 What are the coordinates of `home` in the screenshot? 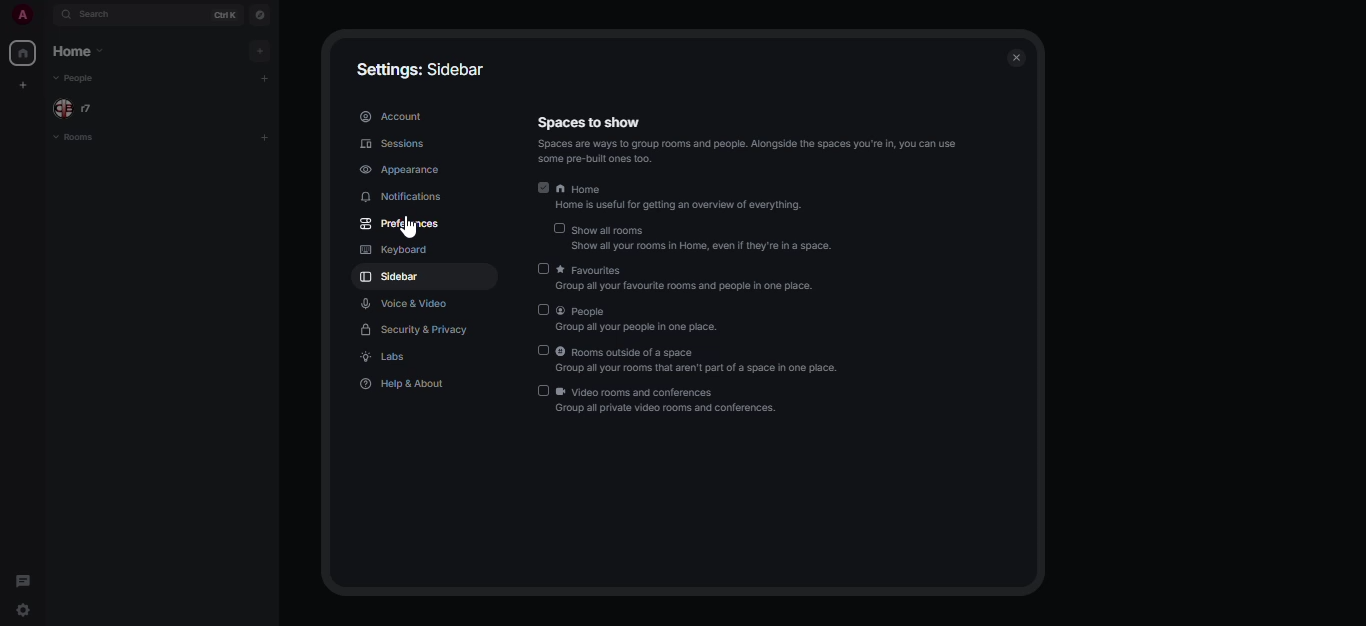 It's located at (78, 51).